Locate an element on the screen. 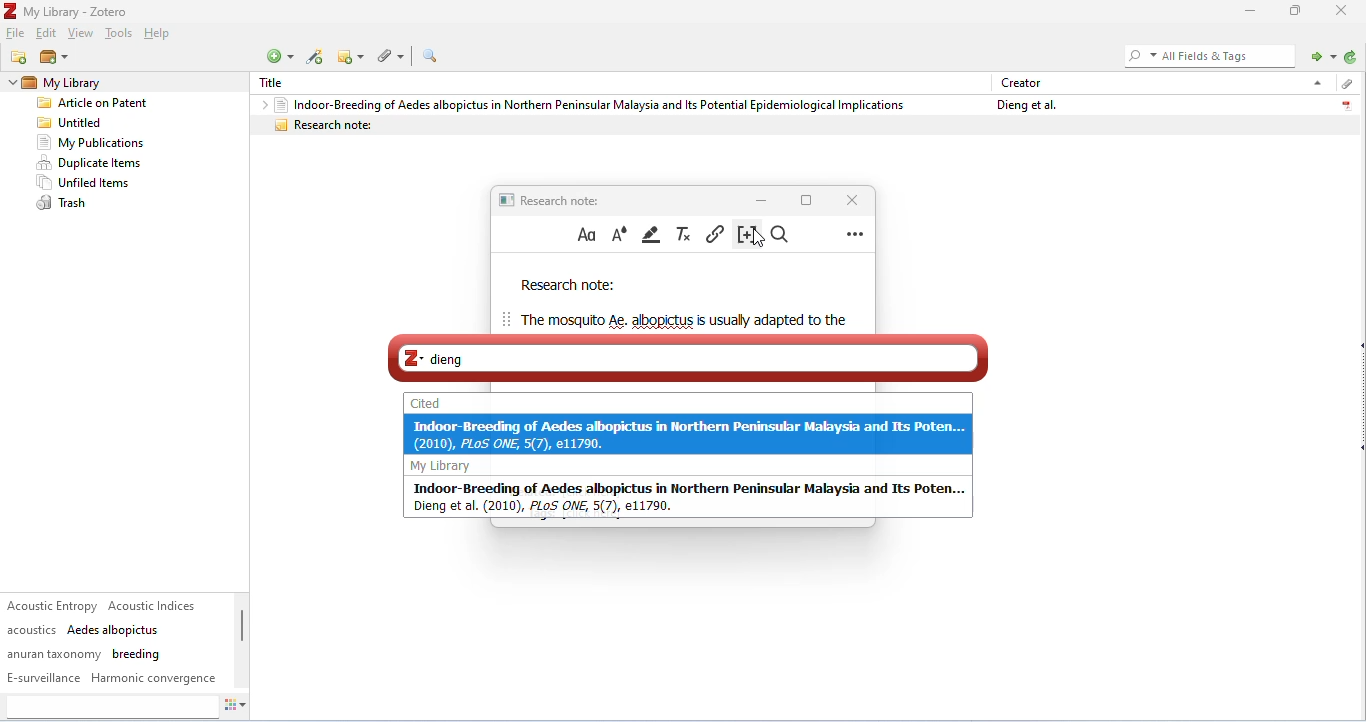  text of research note is located at coordinates (682, 320).